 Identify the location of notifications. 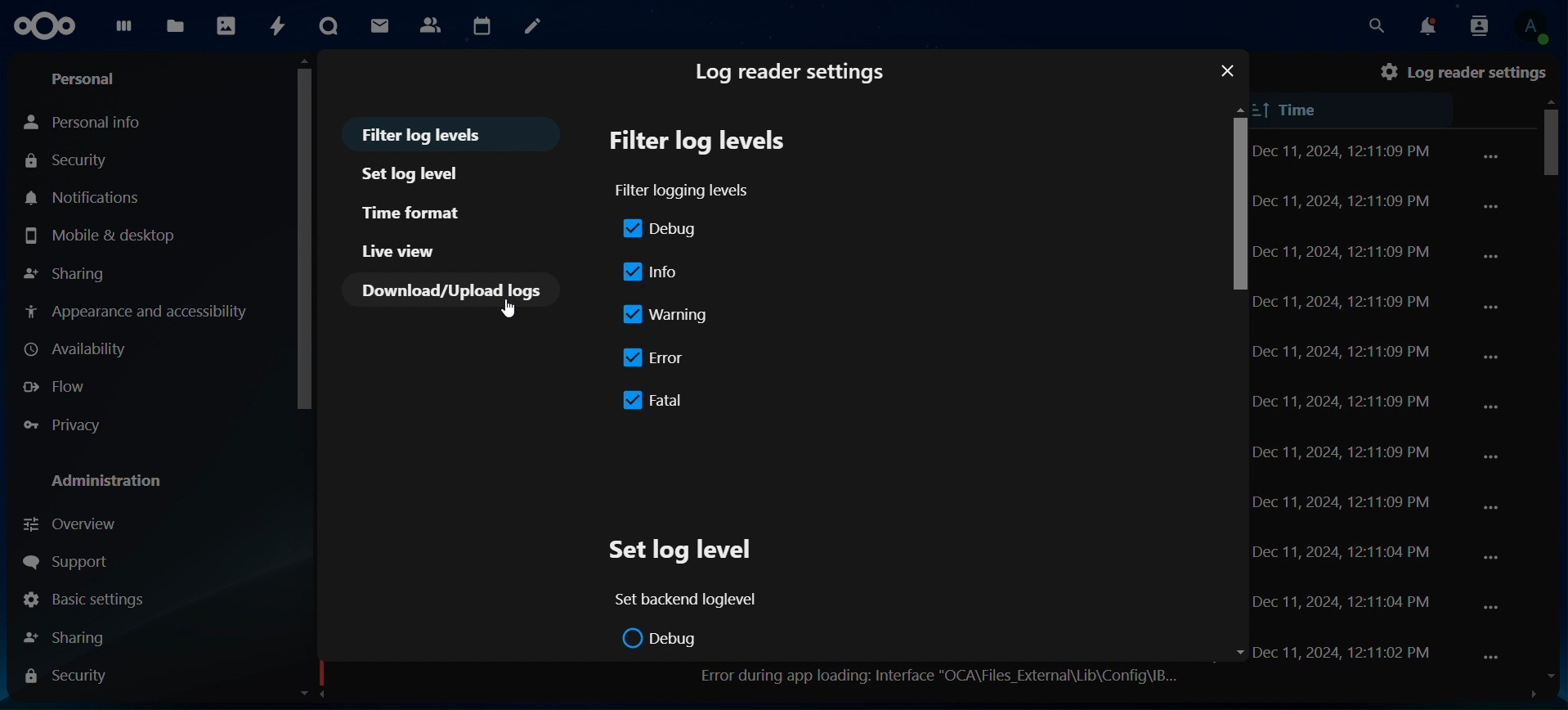
(85, 197).